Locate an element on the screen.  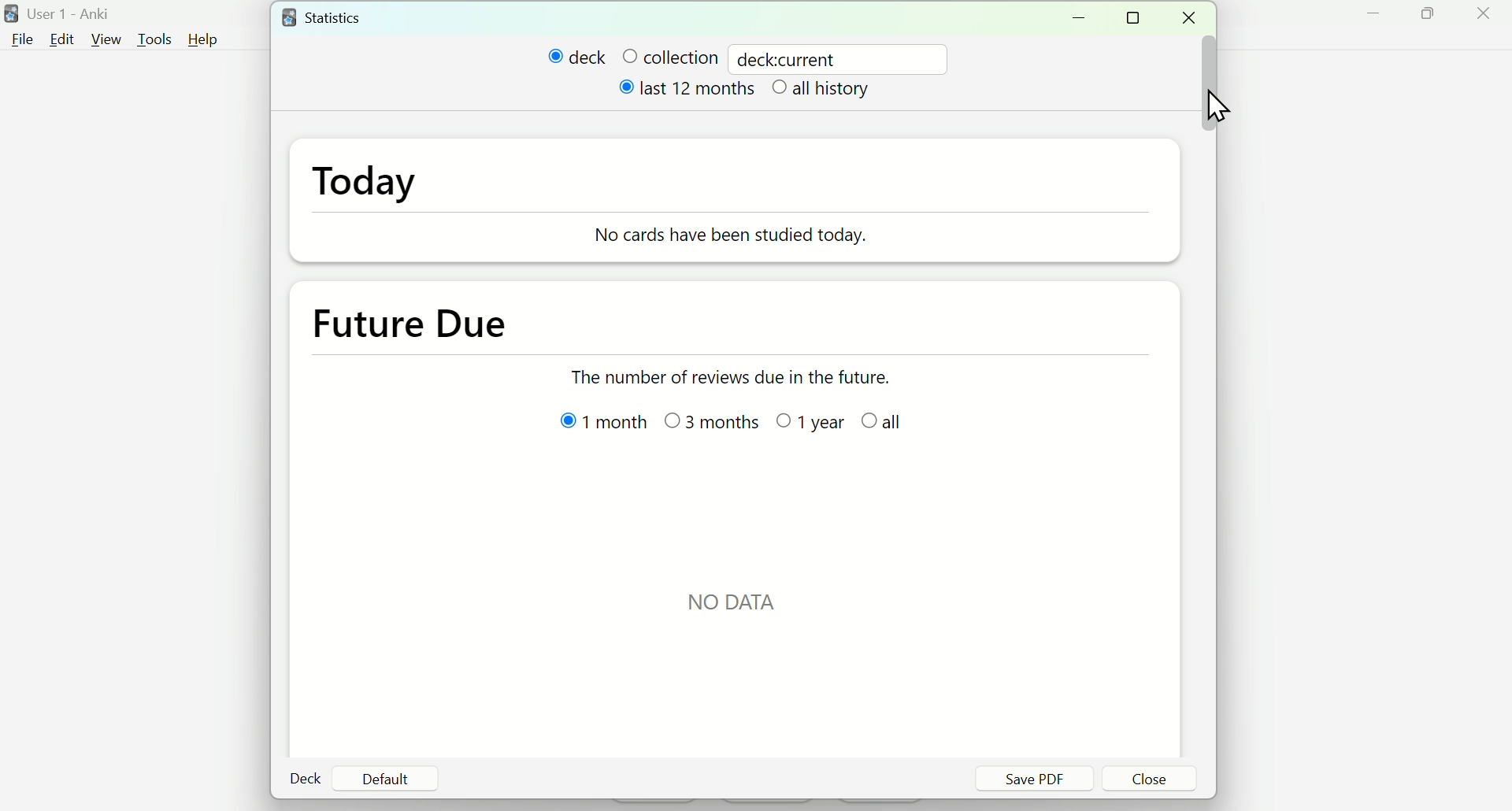
progress is located at coordinates (739, 240).